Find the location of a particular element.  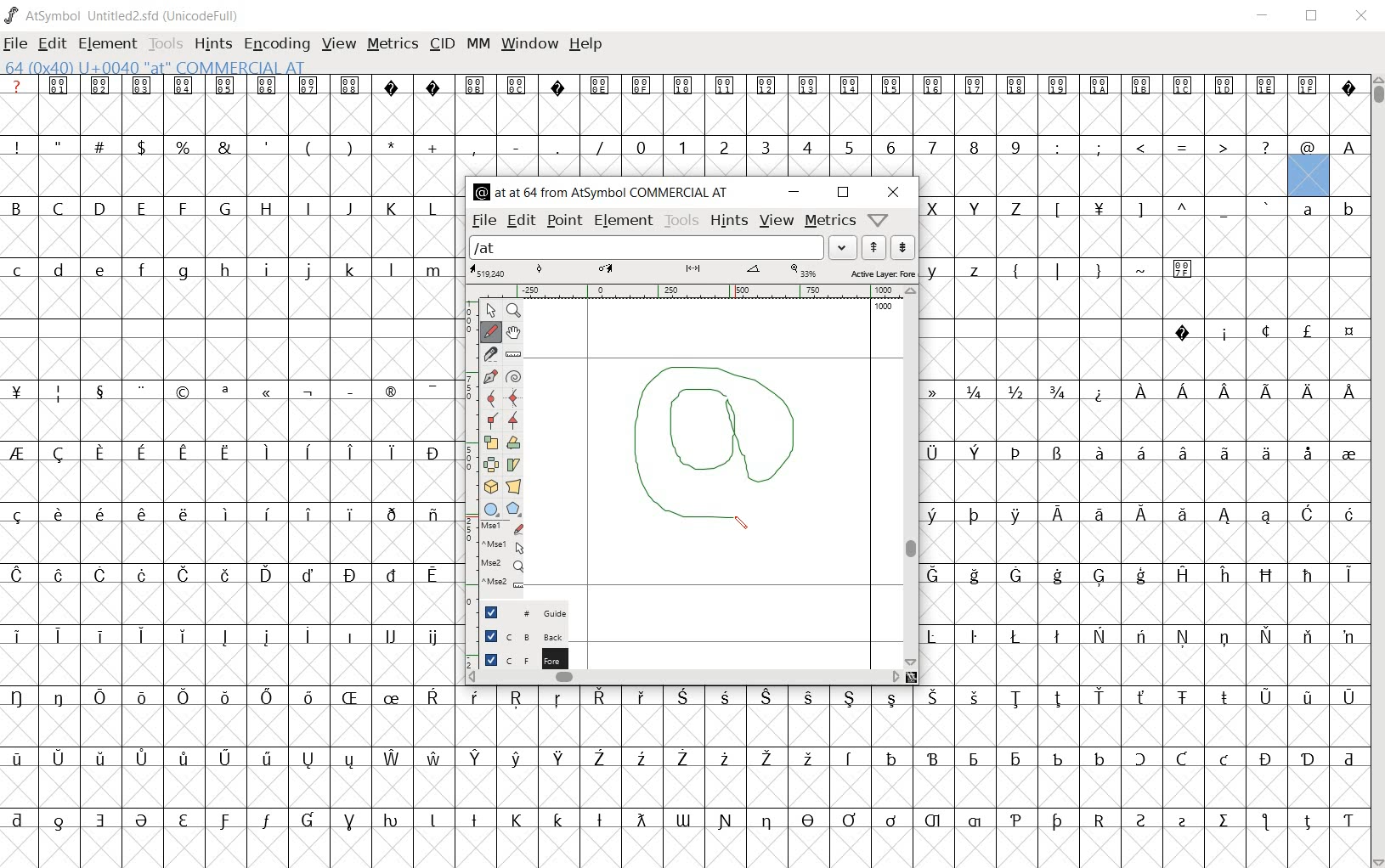

checkbox is located at coordinates (491, 635).